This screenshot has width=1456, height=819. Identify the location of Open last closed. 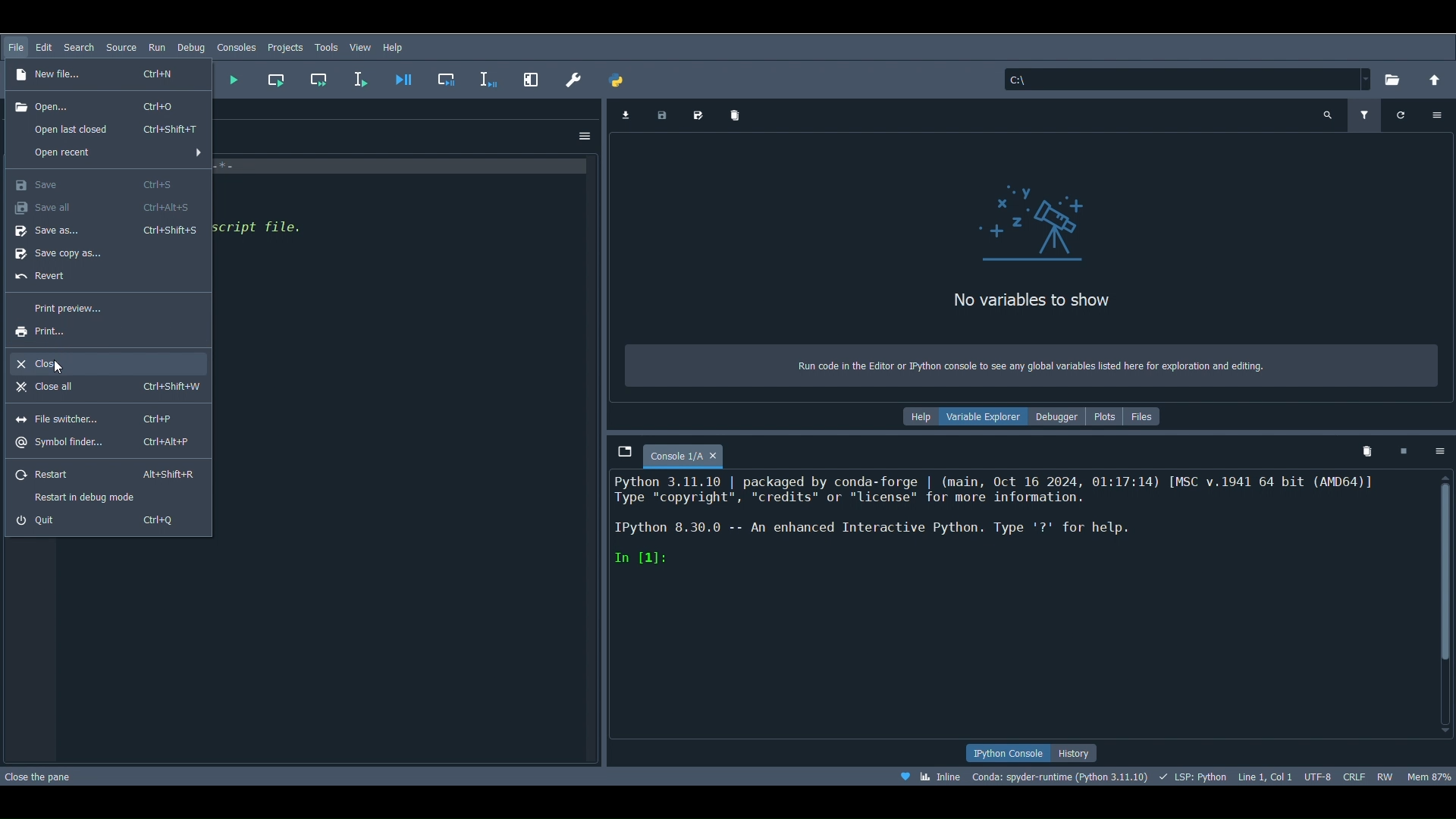
(112, 127).